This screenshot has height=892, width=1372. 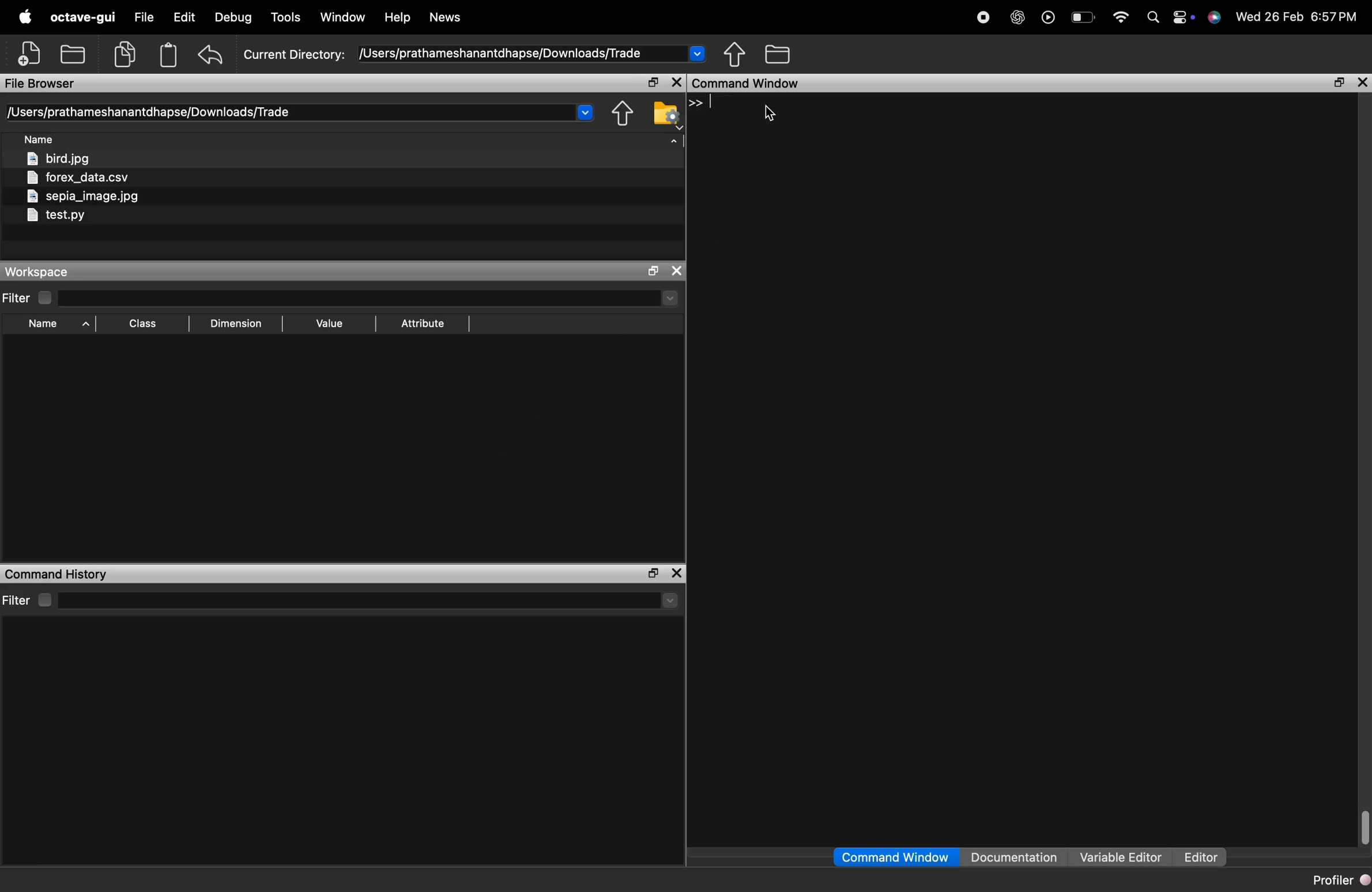 What do you see at coordinates (1015, 857) in the screenshot?
I see `documentation` at bounding box center [1015, 857].